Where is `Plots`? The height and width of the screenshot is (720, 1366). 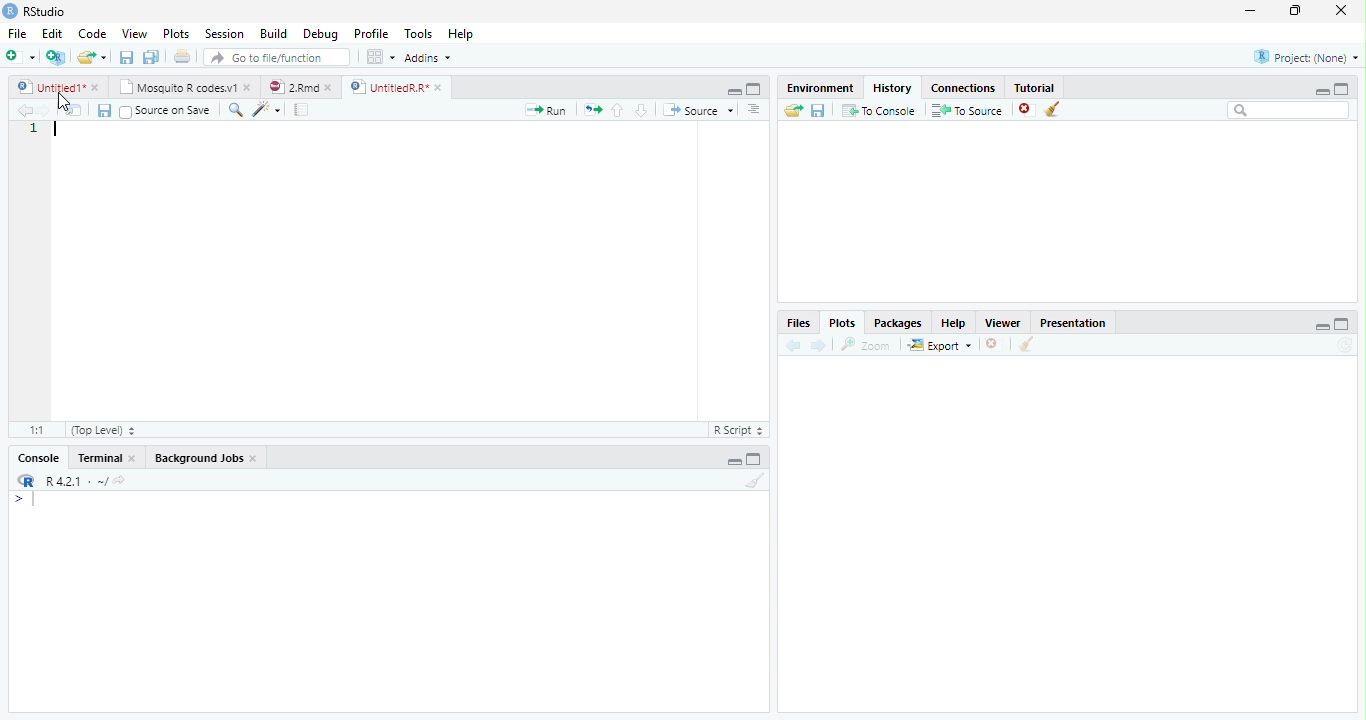 Plots is located at coordinates (174, 33).